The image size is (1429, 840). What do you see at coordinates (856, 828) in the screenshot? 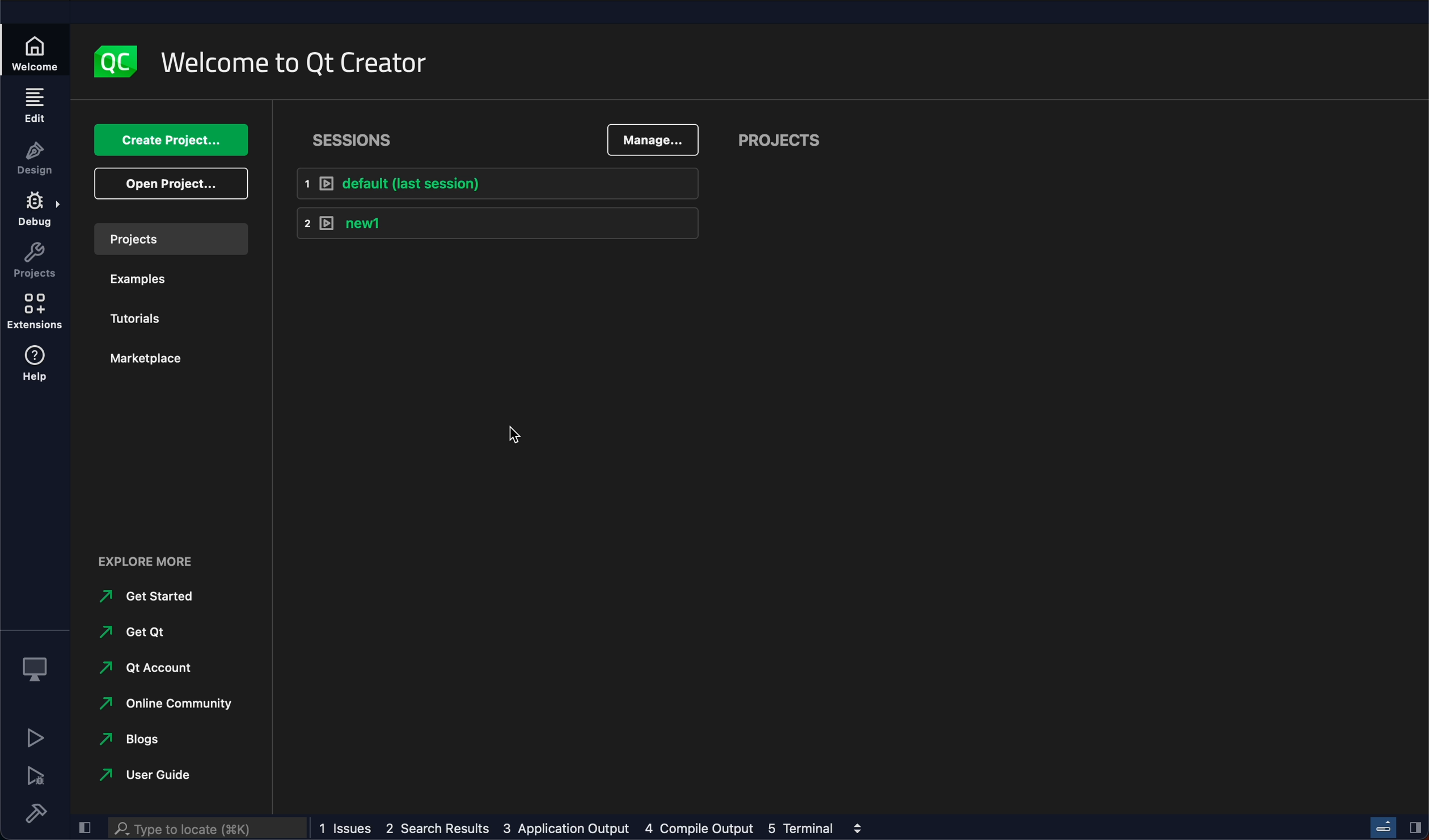
I see `view output` at bounding box center [856, 828].